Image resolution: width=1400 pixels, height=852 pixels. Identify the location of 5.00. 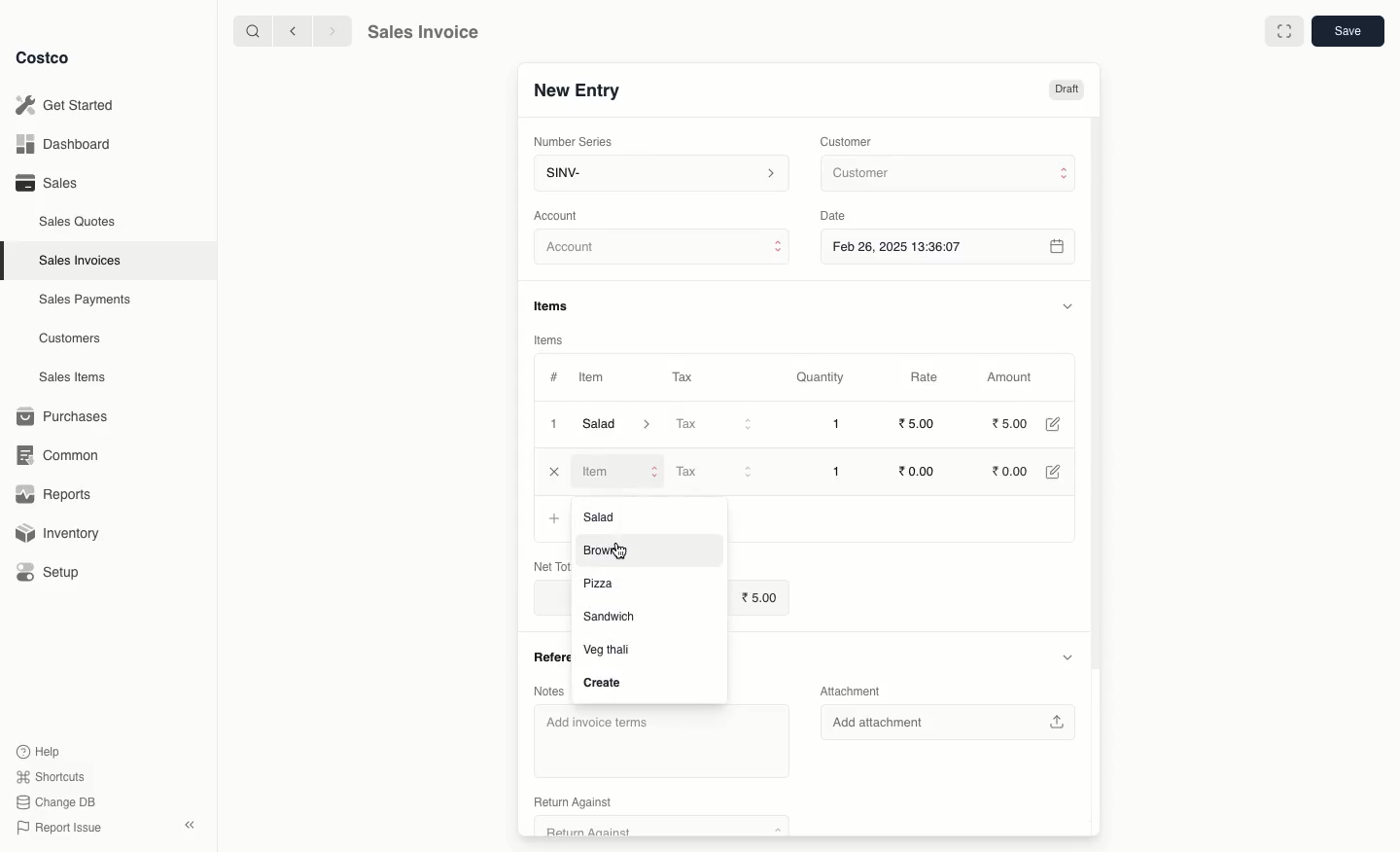
(759, 595).